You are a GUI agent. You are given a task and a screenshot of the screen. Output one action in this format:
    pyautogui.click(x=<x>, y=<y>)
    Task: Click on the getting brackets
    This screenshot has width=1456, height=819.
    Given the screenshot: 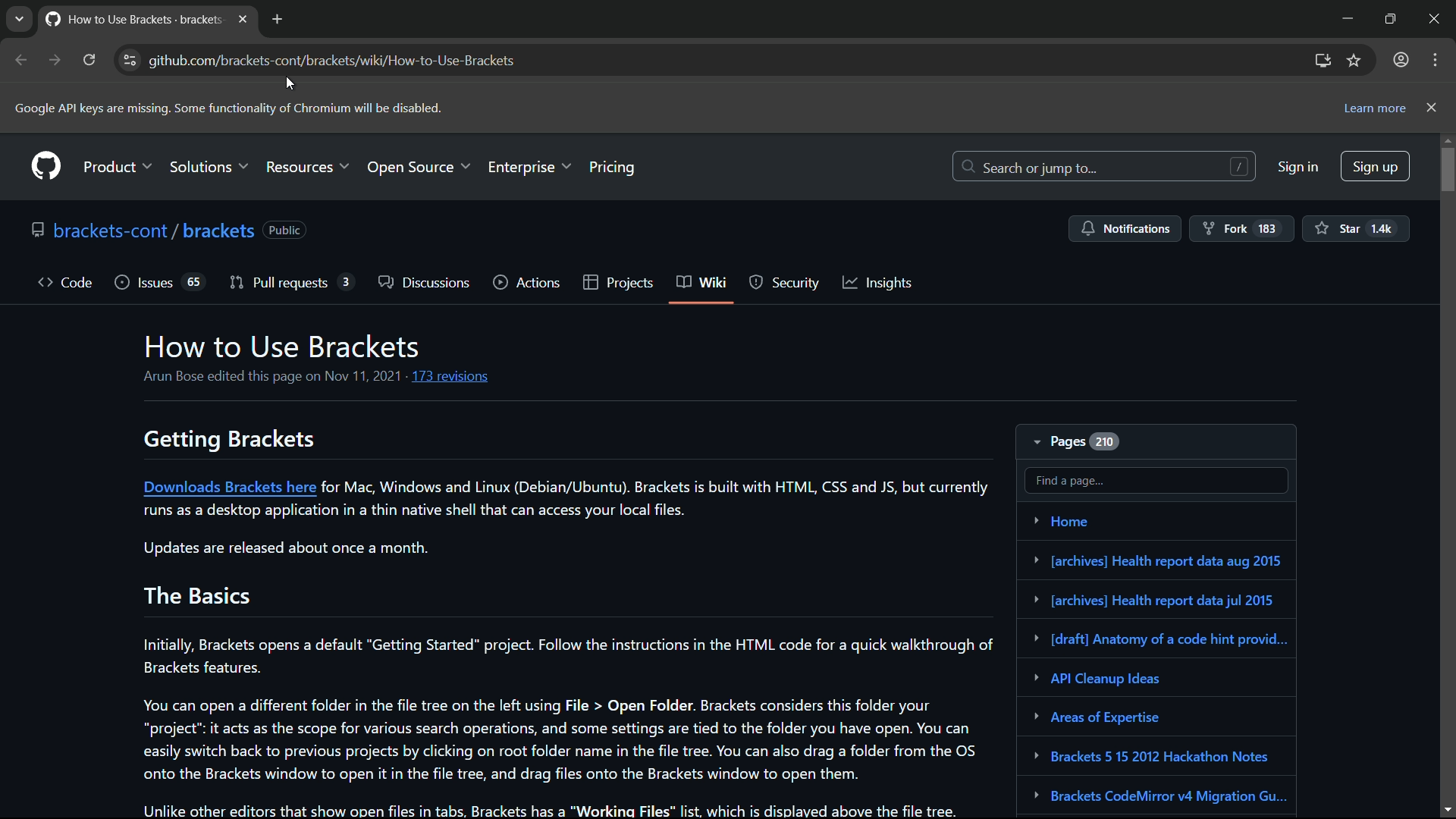 What is the action you would take?
    pyautogui.click(x=229, y=440)
    